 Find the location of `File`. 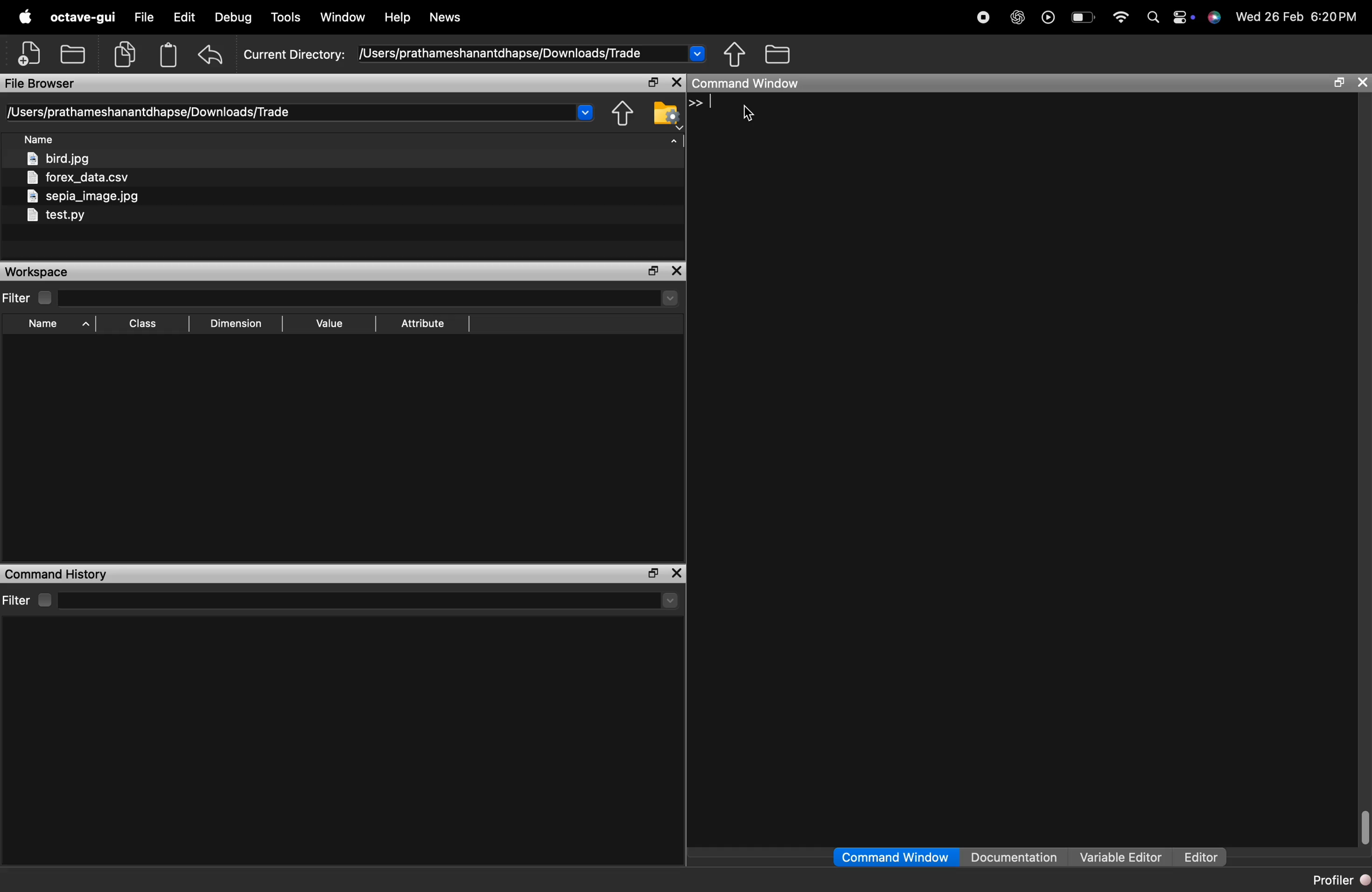

File is located at coordinates (144, 16).